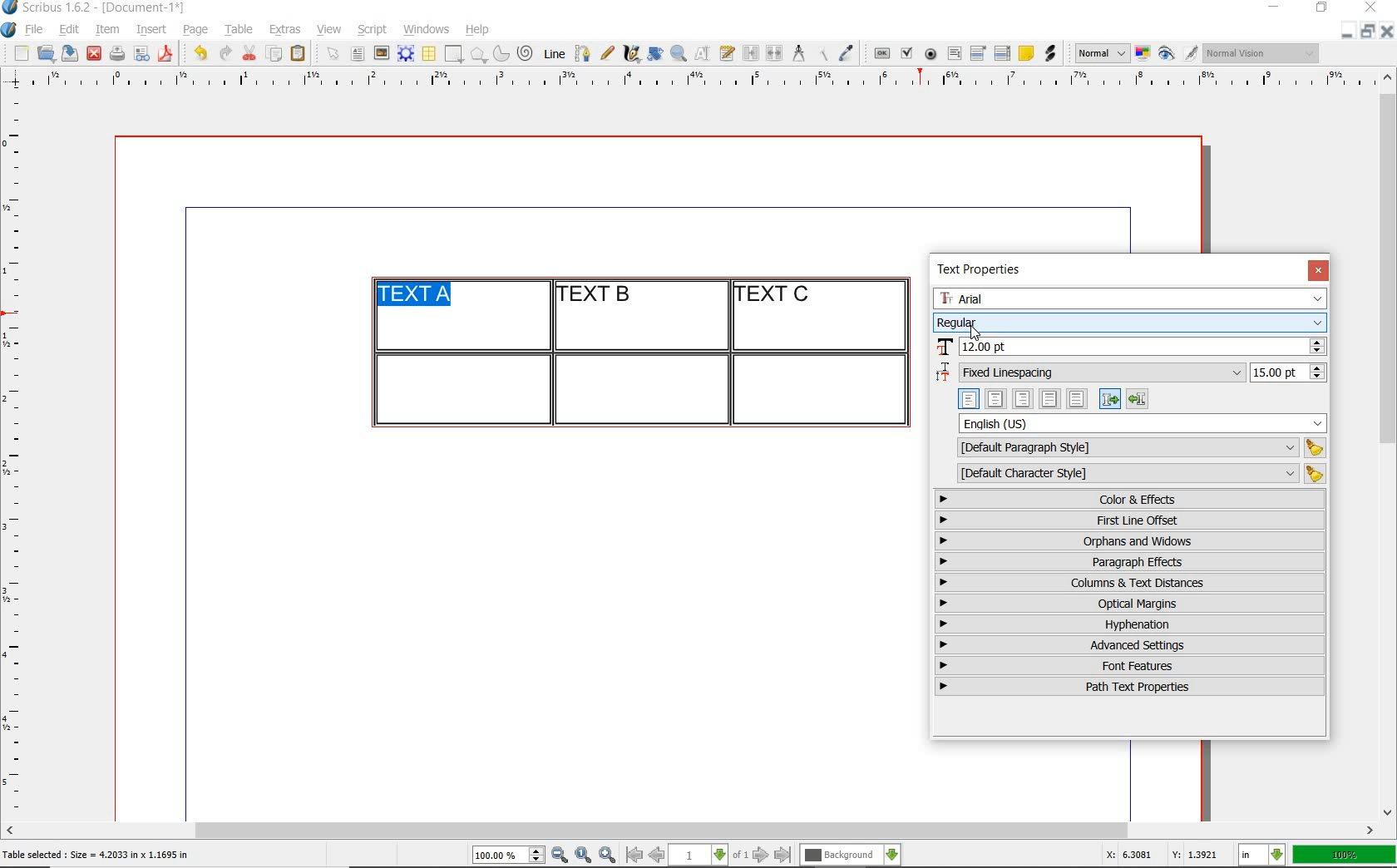 The width and height of the screenshot is (1397, 868). Describe the element at coordinates (476, 31) in the screenshot. I see `help` at that location.